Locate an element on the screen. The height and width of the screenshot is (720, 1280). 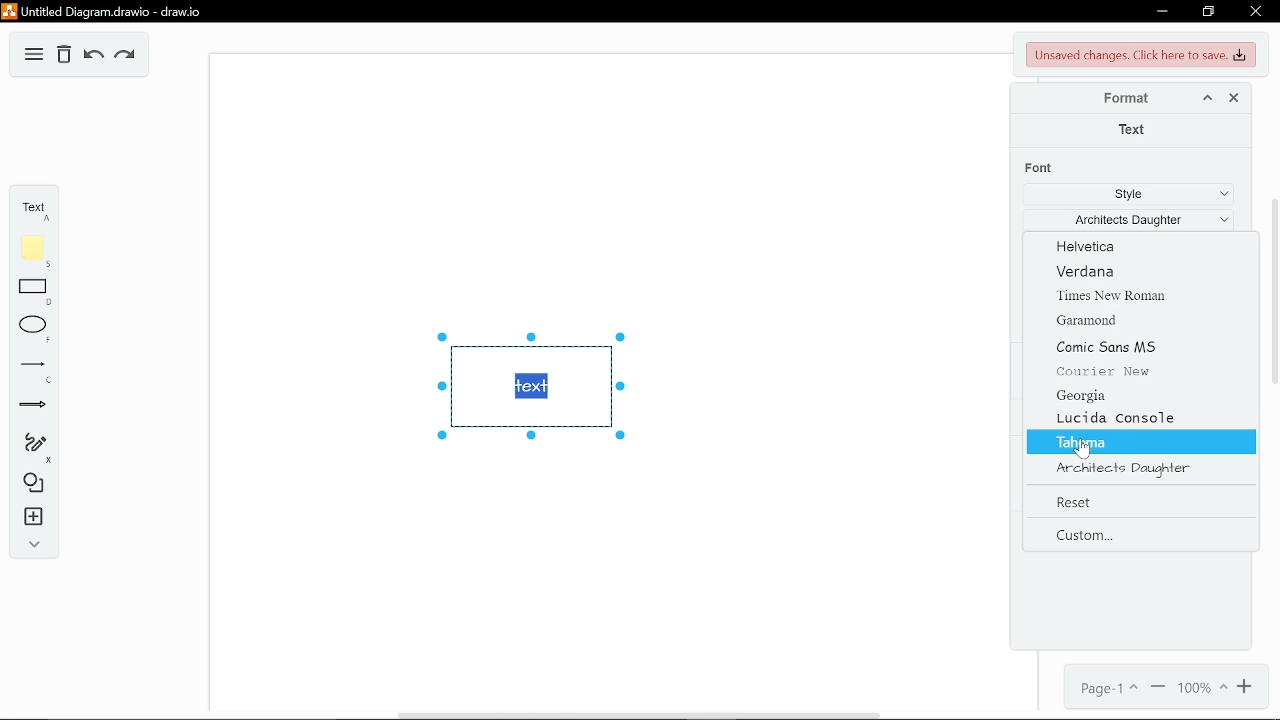
text is located at coordinates (1133, 130).